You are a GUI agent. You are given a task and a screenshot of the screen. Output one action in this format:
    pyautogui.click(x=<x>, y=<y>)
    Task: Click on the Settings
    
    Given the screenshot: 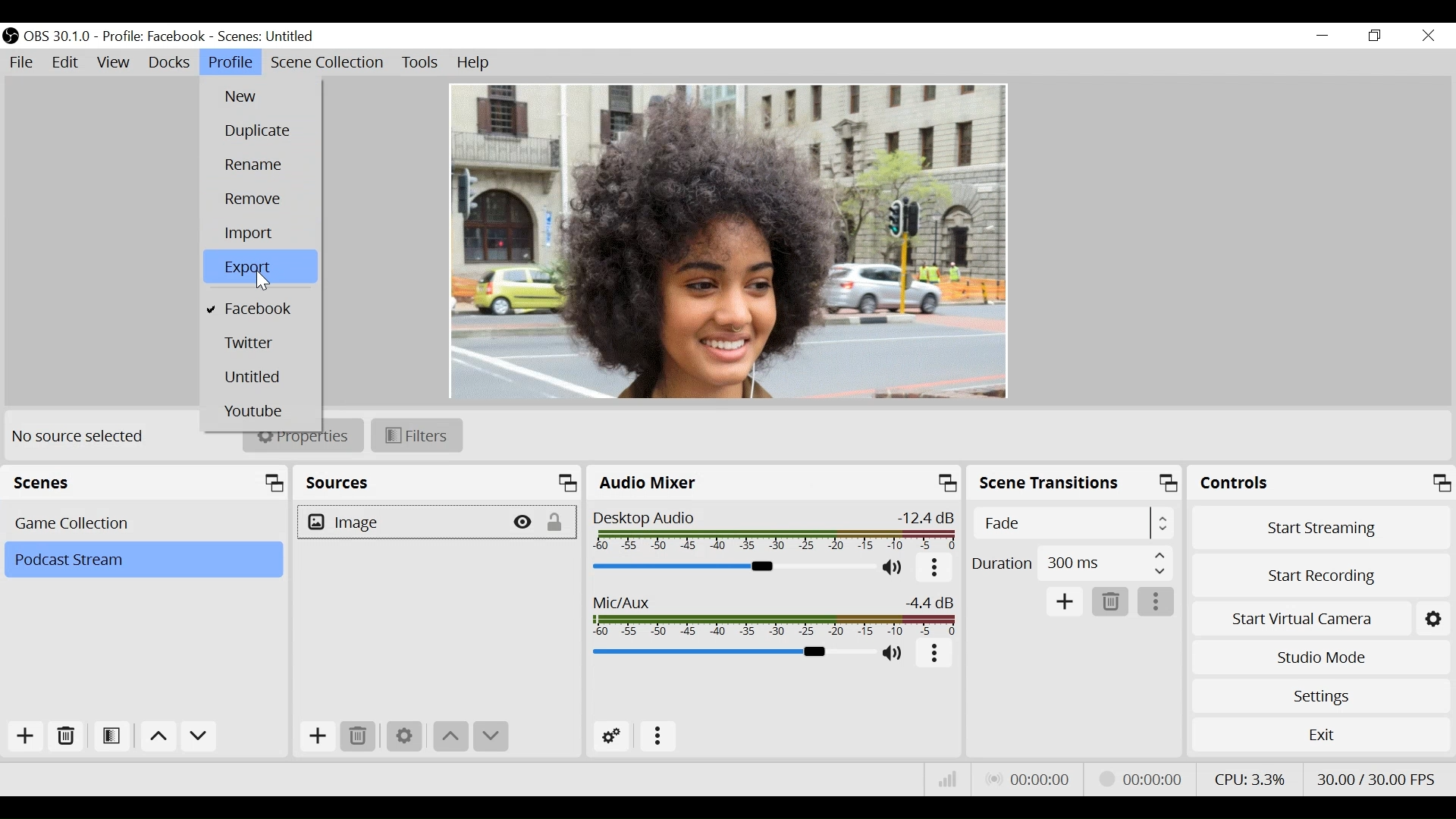 What is the action you would take?
    pyautogui.click(x=1323, y=697)
    